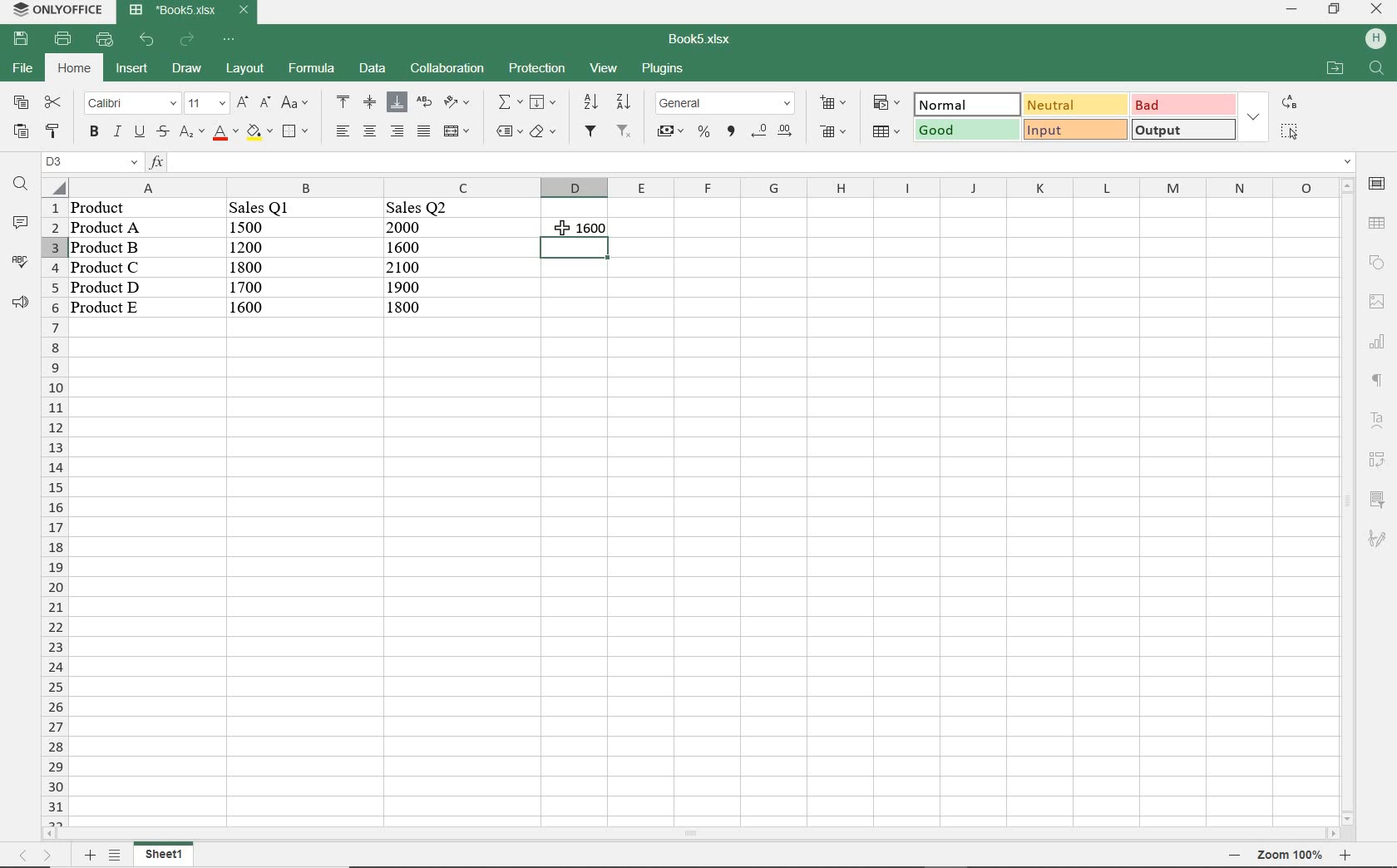 This screenshot has width=1397, height=868. Describe the element at coordinates (54, 512) in the screenshot. I see `rows` at that location.